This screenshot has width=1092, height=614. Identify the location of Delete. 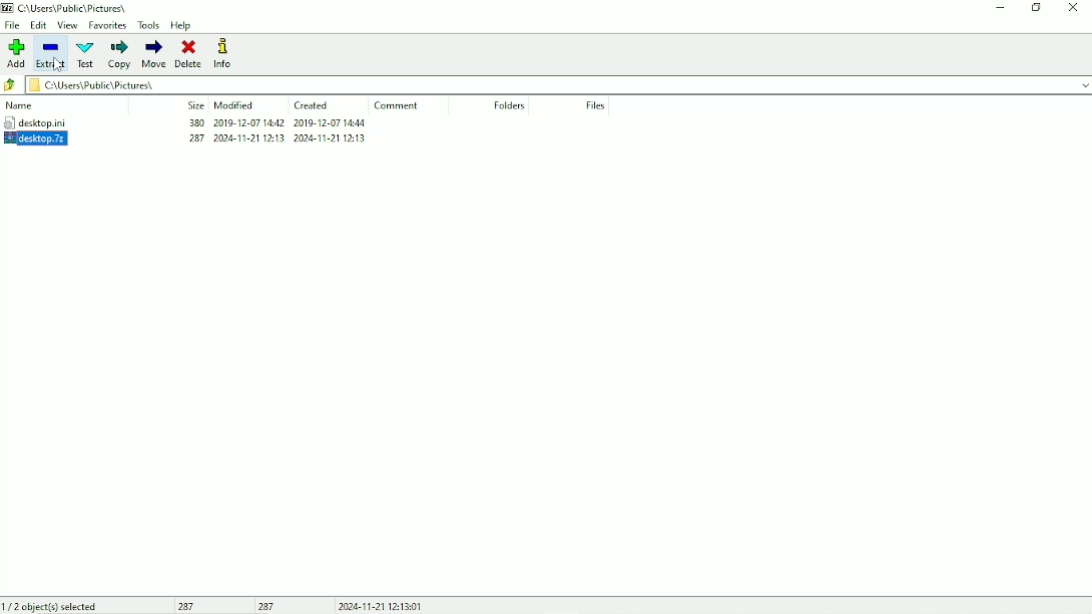
(188, 53).